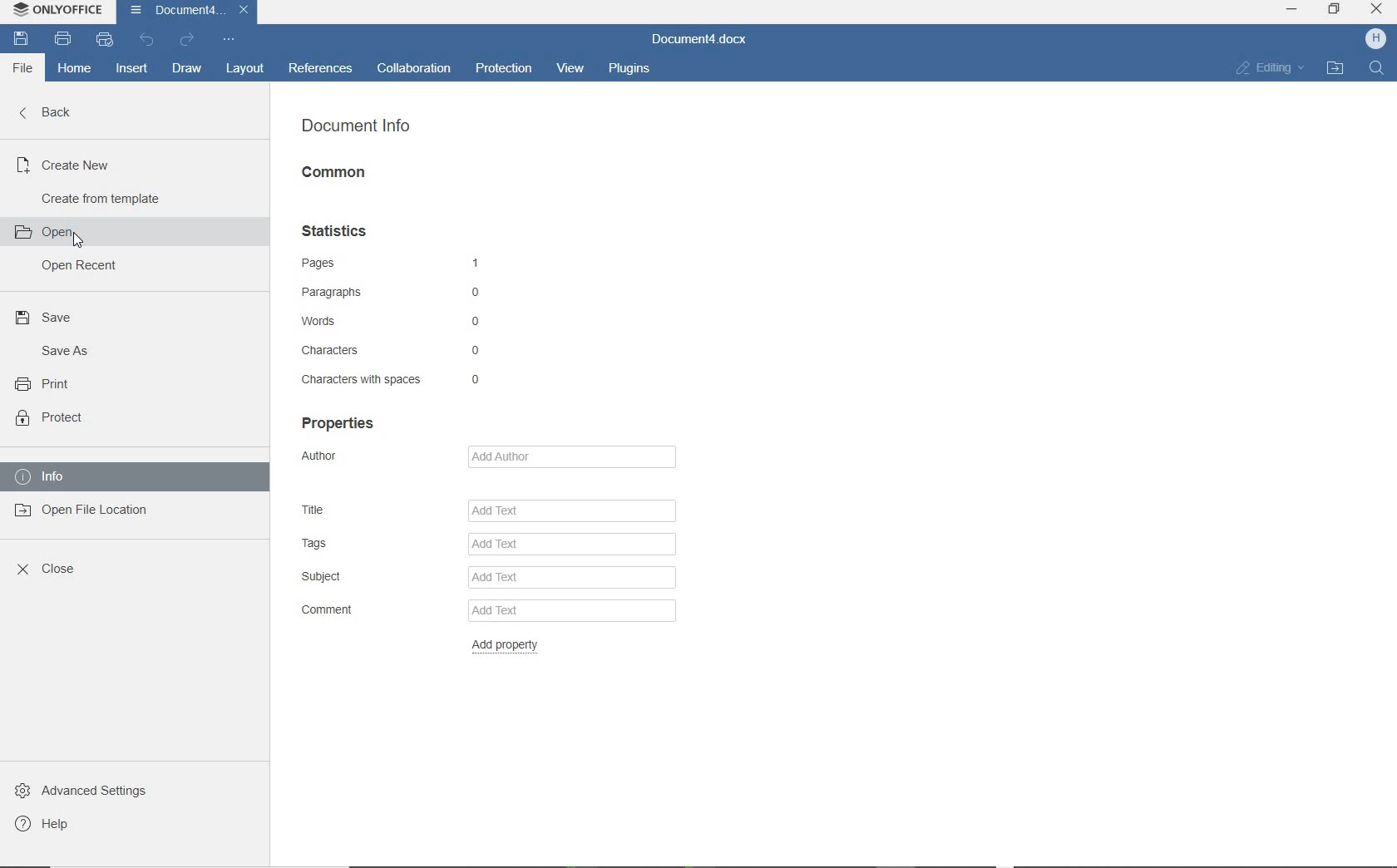  I want to click on redo, so click(189, 42).